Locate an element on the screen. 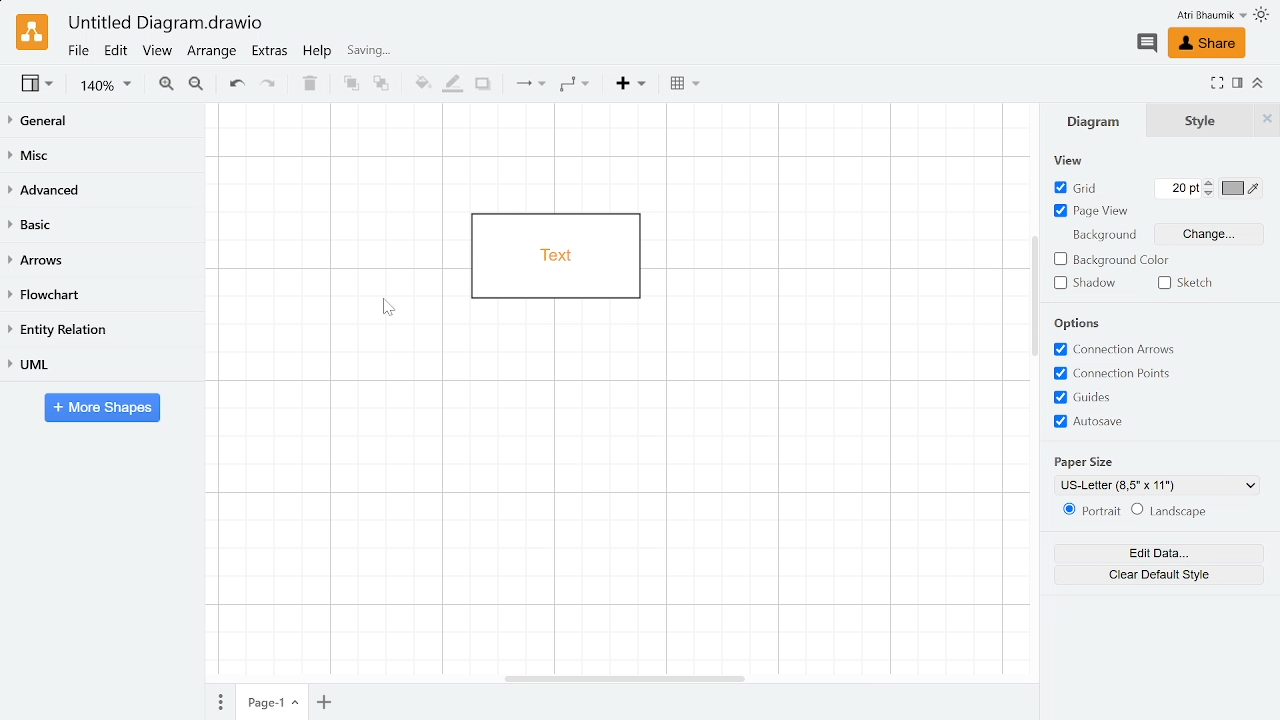 Image resolution: width=1280 pixels, height=720 pixels. Grid color is located at coordinates (1241, 188).